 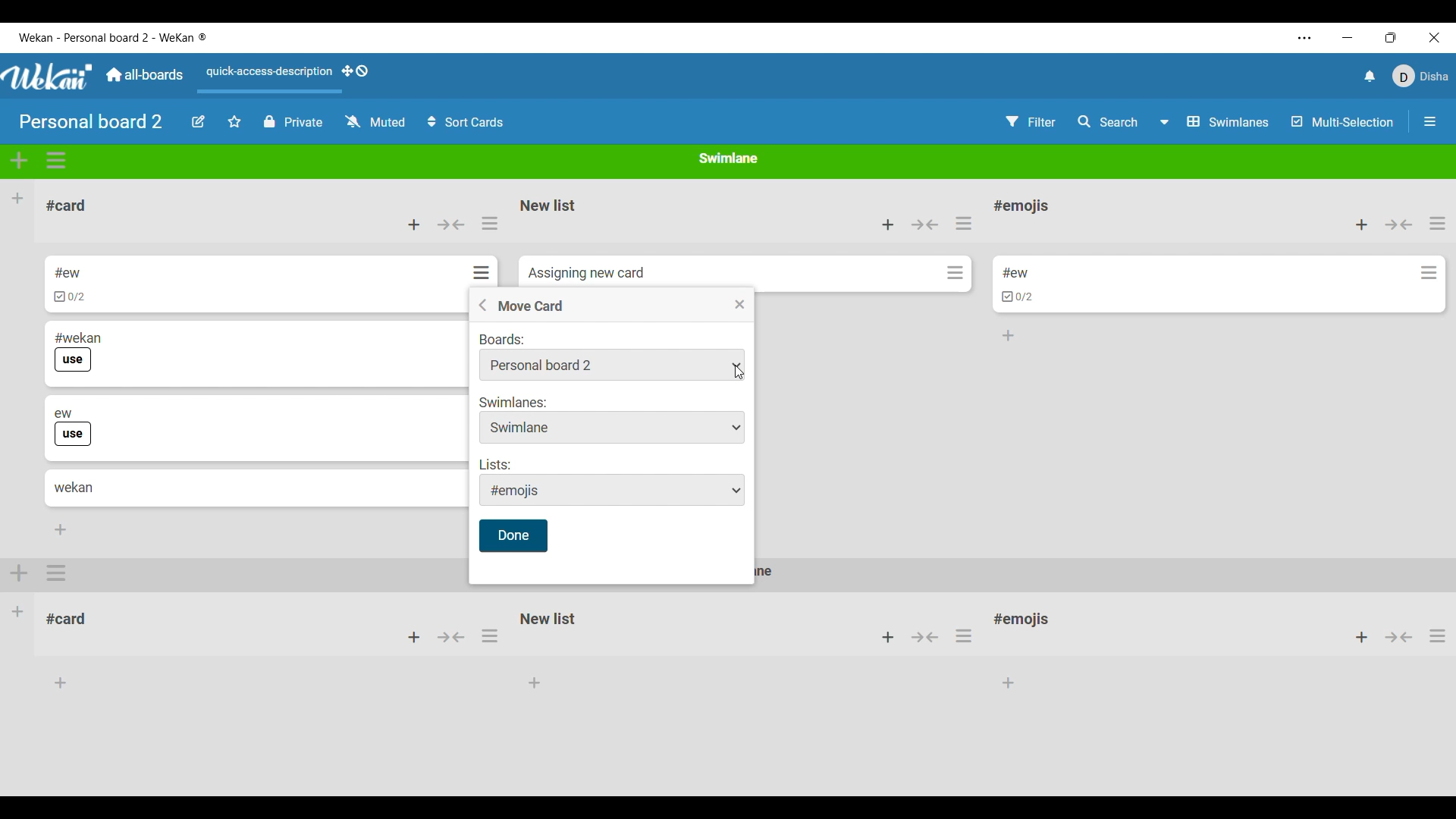 What do you see at coordinates (465, 122) in the screenshot?
I see `Sort cards` at bounding box center [465, 122].